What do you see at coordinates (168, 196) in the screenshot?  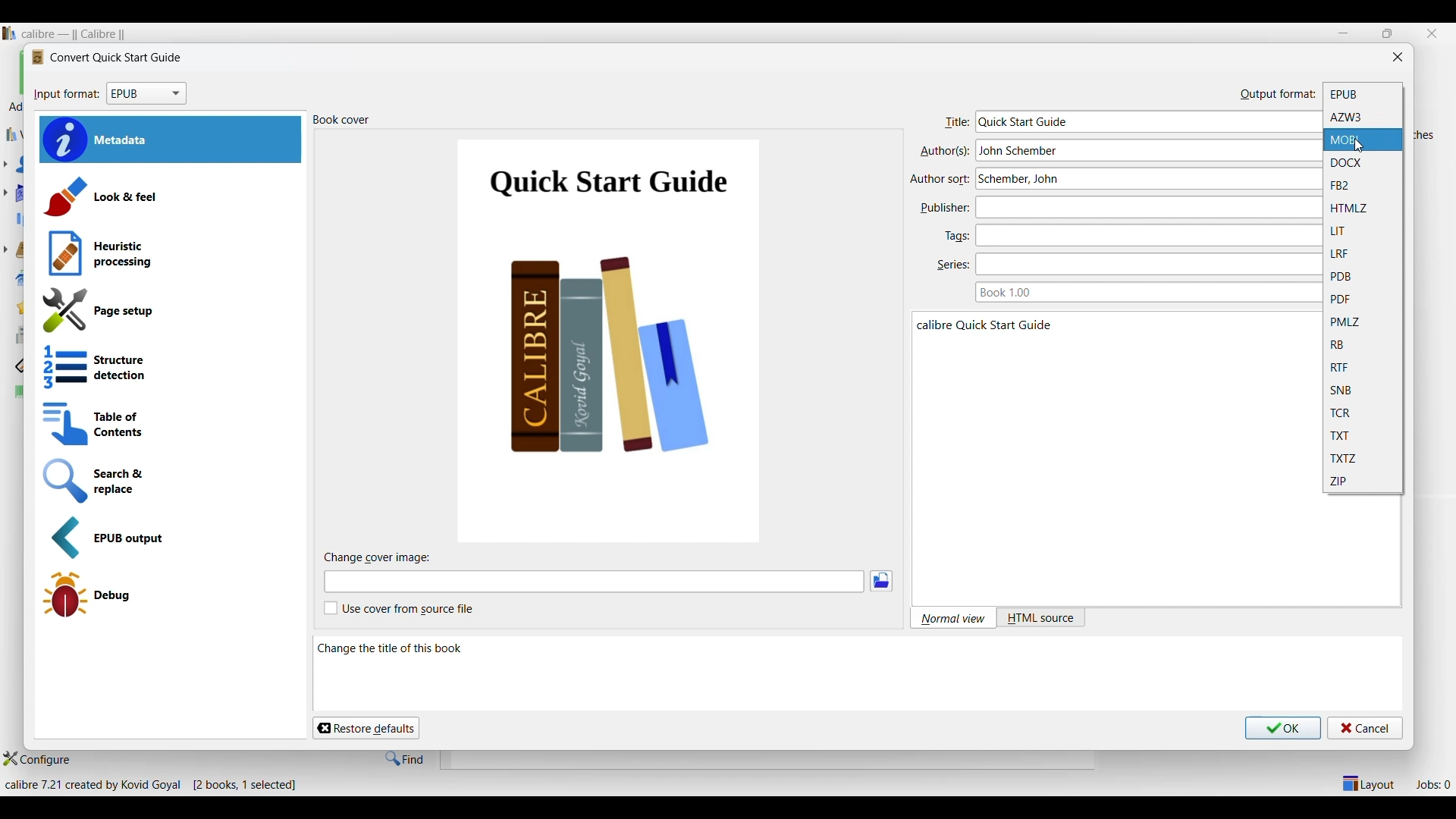 I see `Laak and feel` at bounding box center [168, 196].